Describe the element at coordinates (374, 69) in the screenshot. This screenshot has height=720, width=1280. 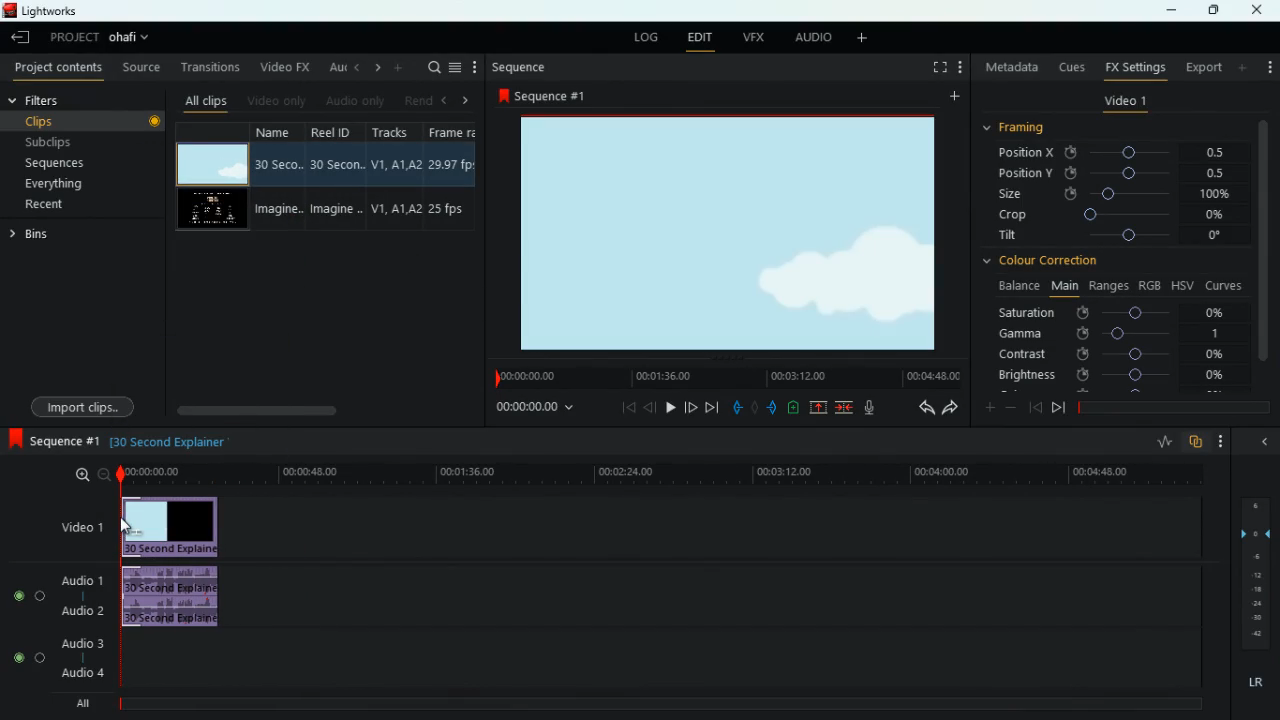
I see `right` at that location.